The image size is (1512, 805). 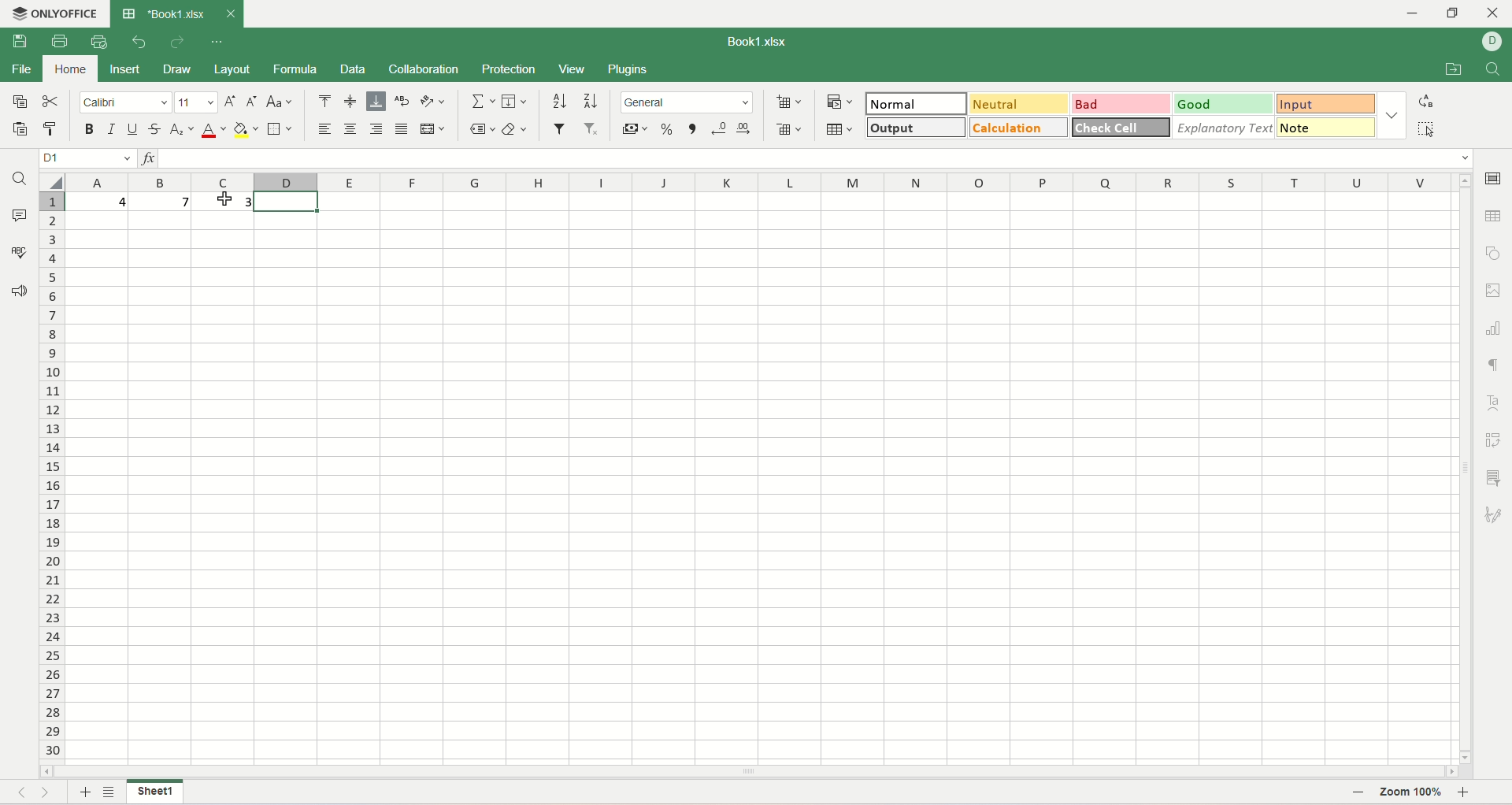 What do you see at coordinates (1354, 793) in the screenshot?
I see `zoom out` at bounding box center [1354, 793].